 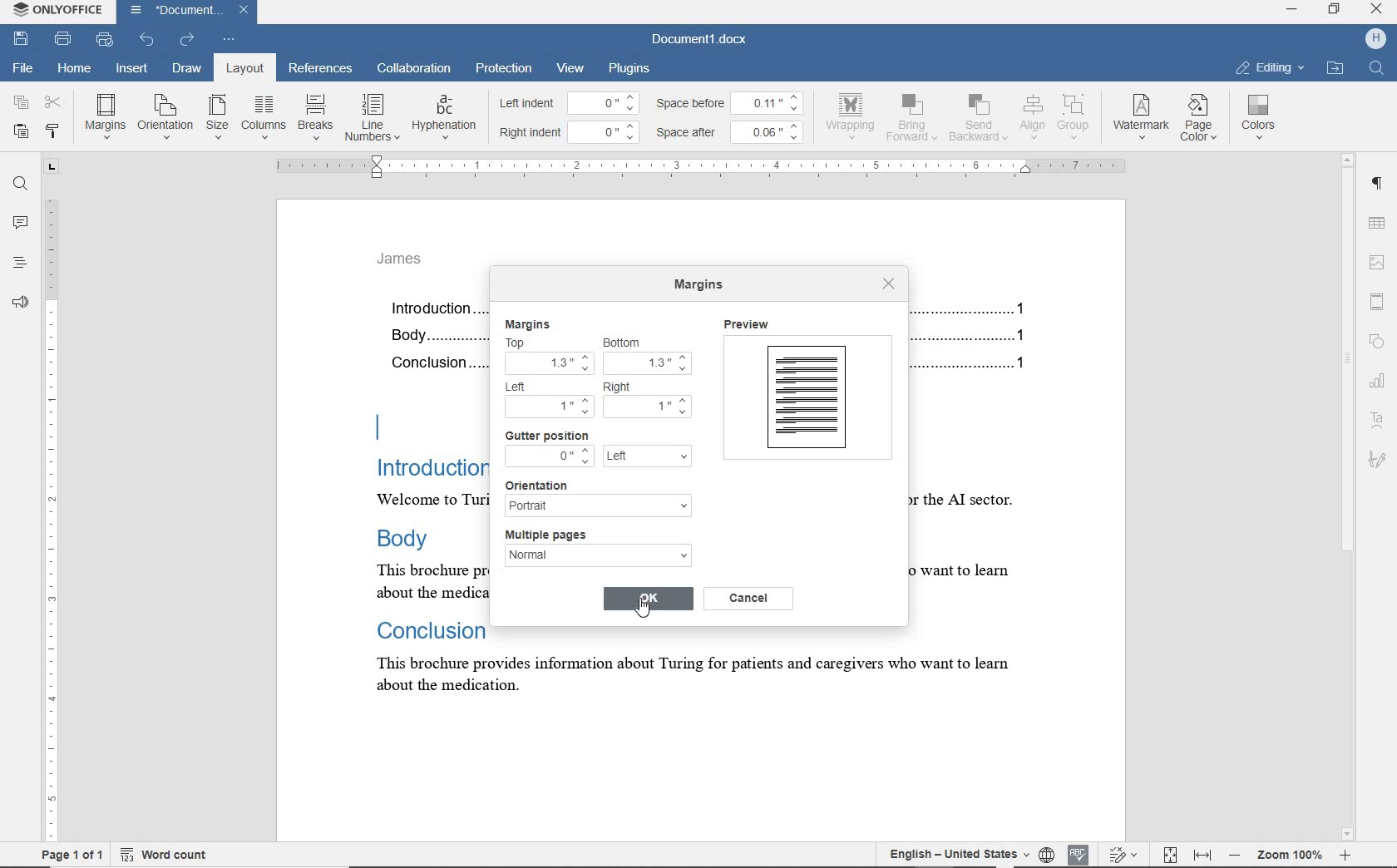 What do you see at coordinates (371, 117) in the screenshot?
I see `line numbers` at bounding box center [371, 117].